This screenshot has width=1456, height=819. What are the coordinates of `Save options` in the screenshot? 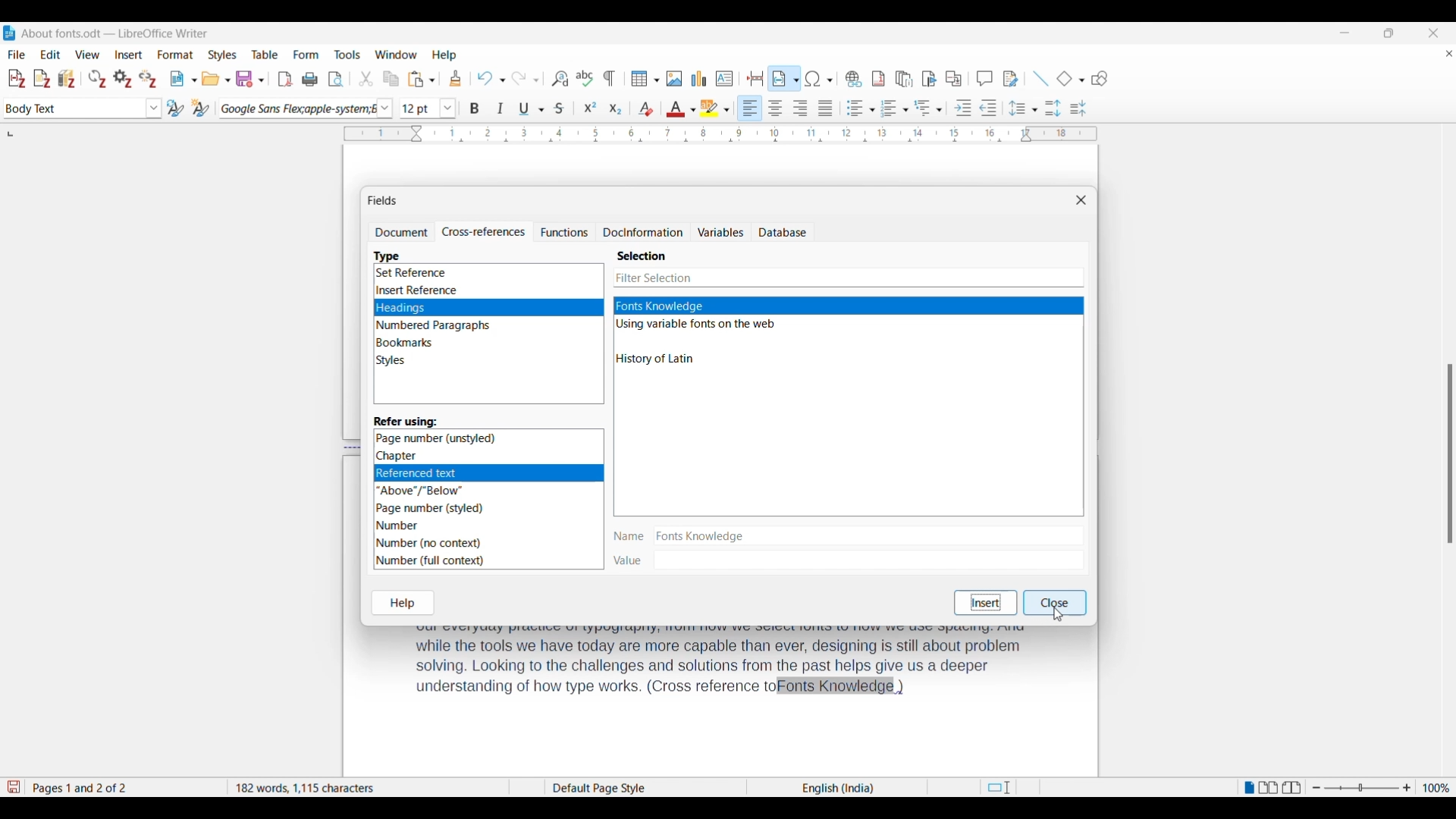 It's located at (250, 79).